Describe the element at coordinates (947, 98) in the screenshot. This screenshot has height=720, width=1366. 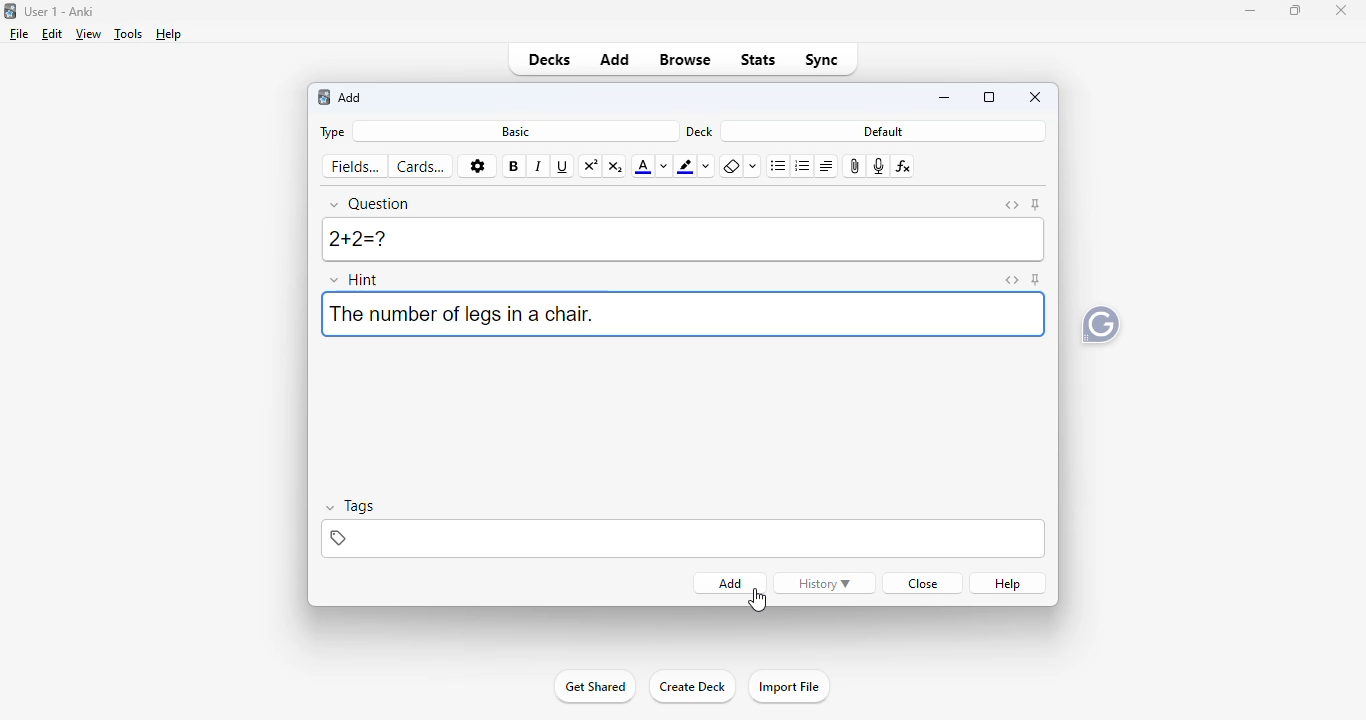
I see `minimize` at that location.